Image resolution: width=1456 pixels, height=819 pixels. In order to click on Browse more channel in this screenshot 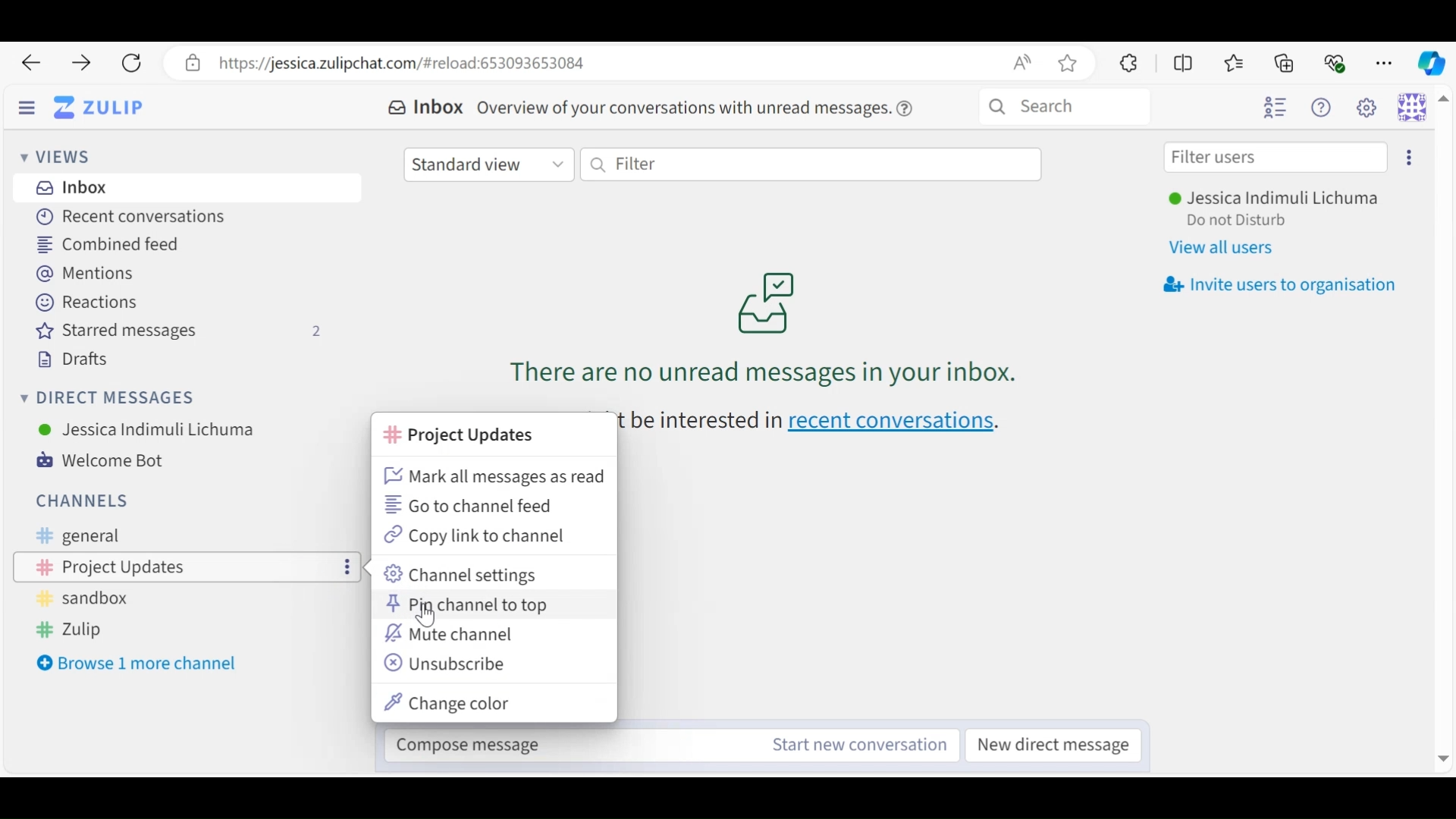, I will do `click(140, 664)`.